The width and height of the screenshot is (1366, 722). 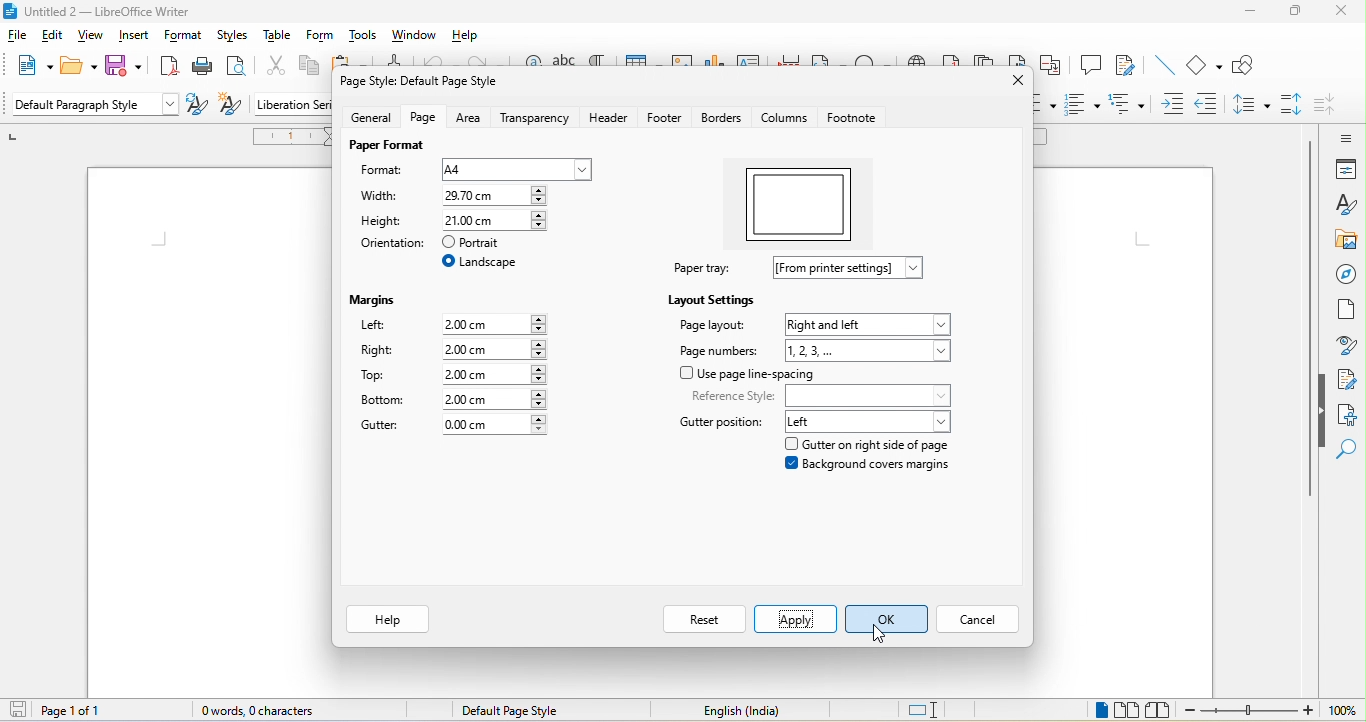 I want to click on cross reference, so click(x=1051, y=68).